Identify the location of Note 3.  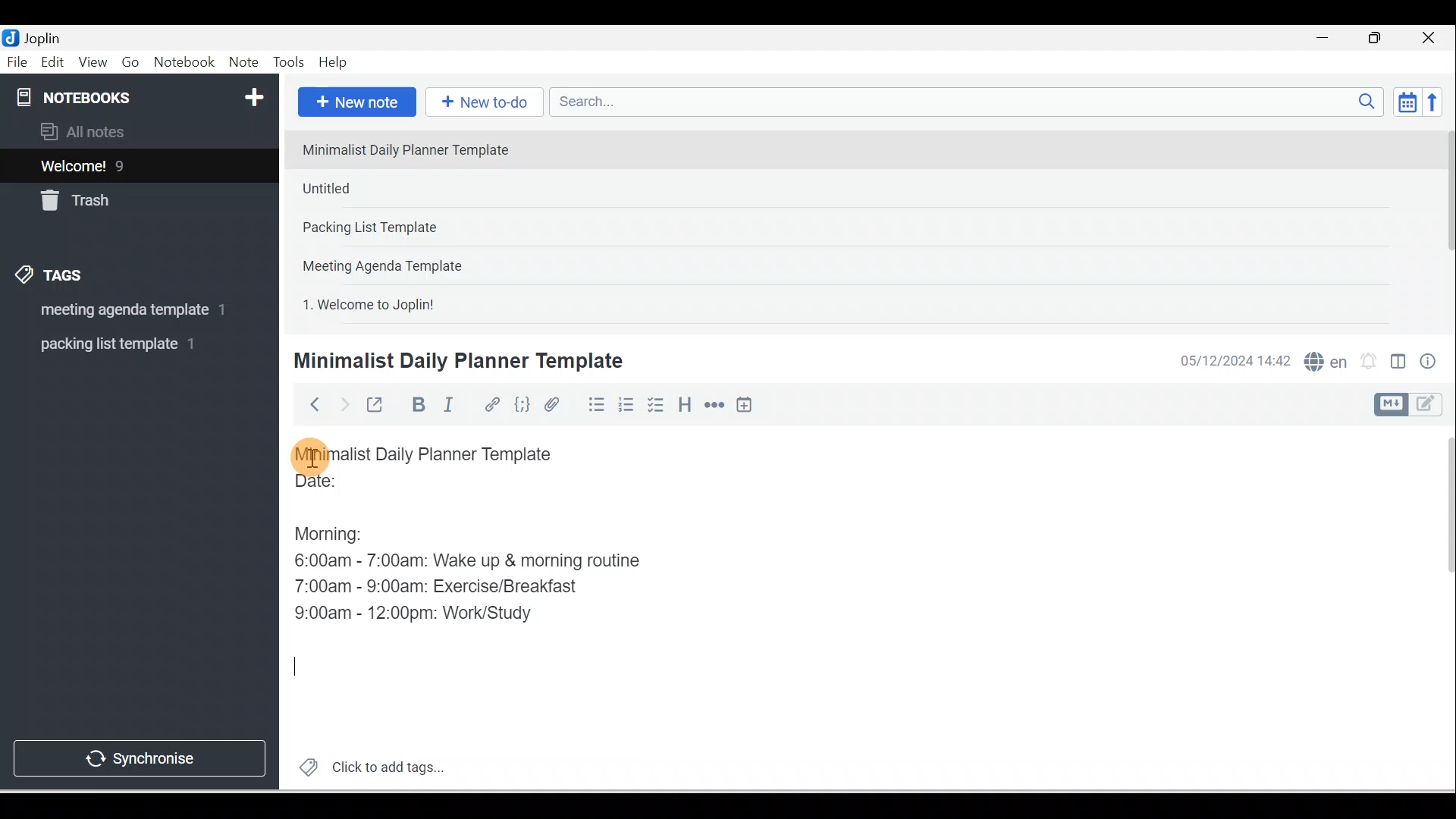
(418, 228).